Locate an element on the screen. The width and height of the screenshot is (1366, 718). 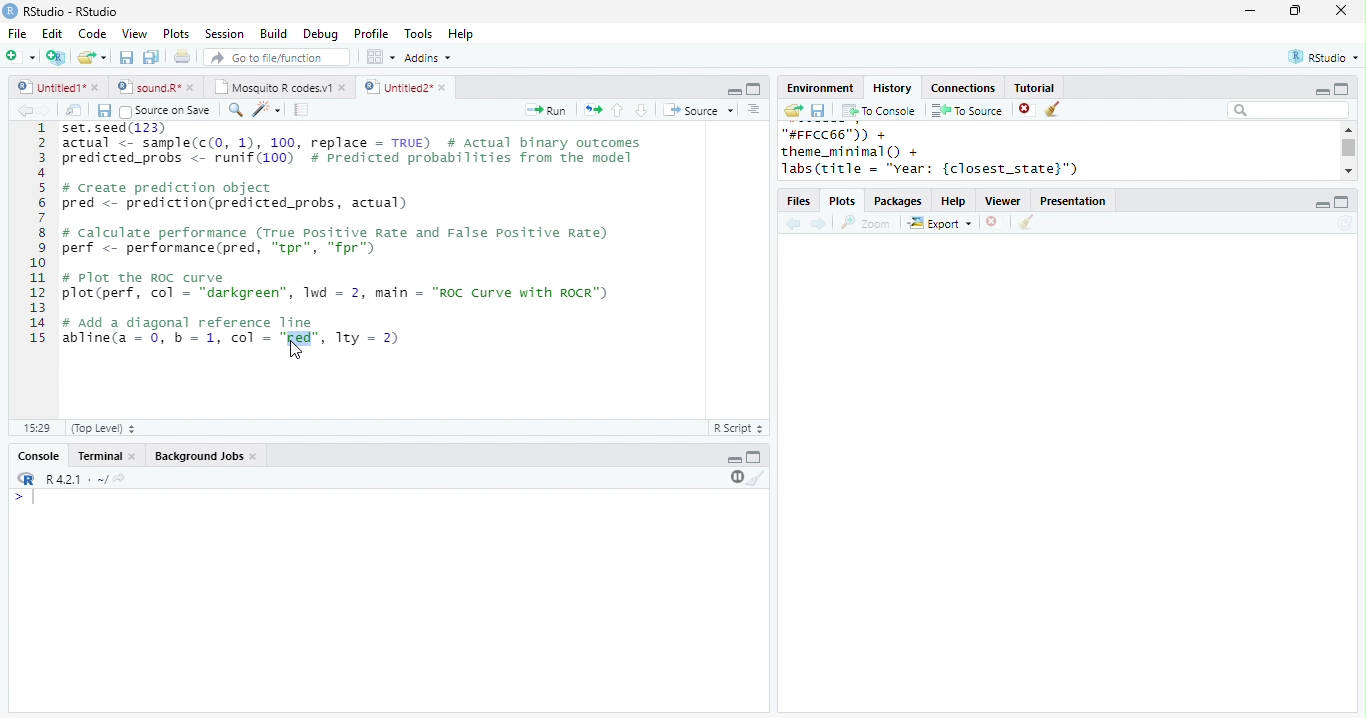
pause is located at coordinates (735, 477).